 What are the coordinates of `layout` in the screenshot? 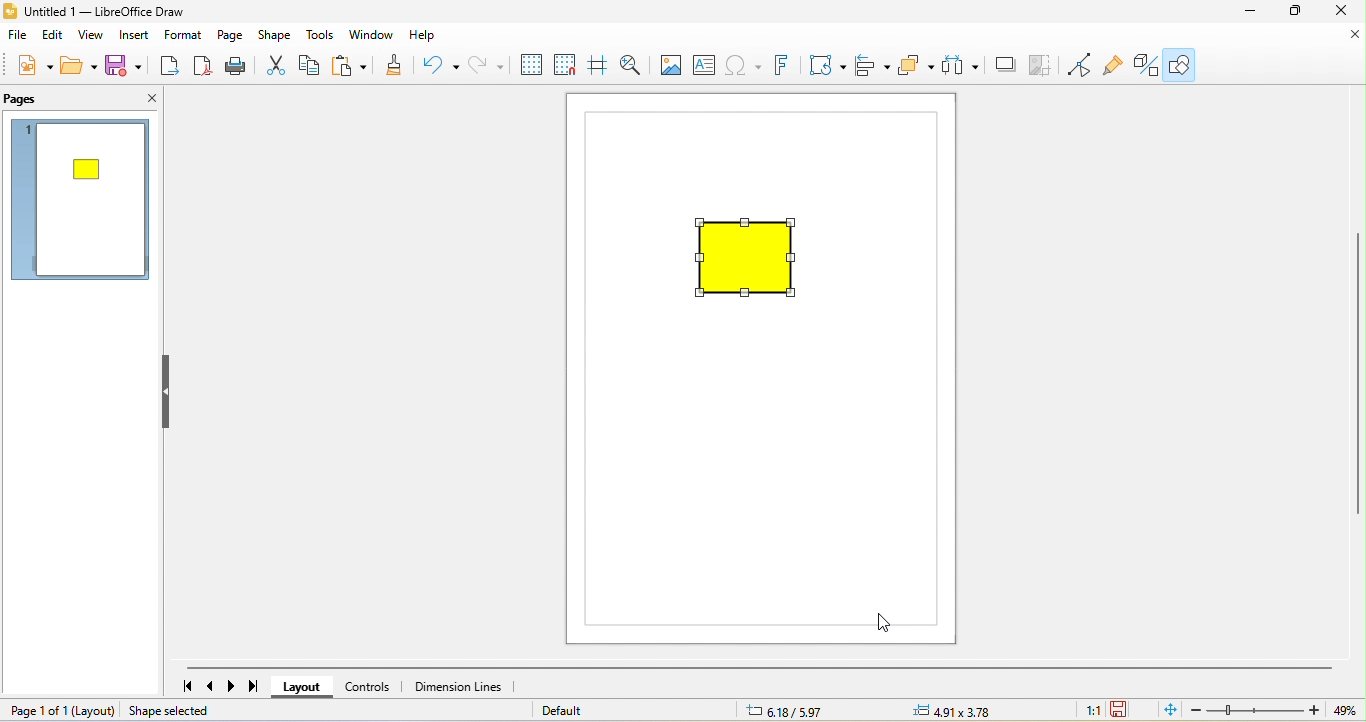 It's located at (94, 711).